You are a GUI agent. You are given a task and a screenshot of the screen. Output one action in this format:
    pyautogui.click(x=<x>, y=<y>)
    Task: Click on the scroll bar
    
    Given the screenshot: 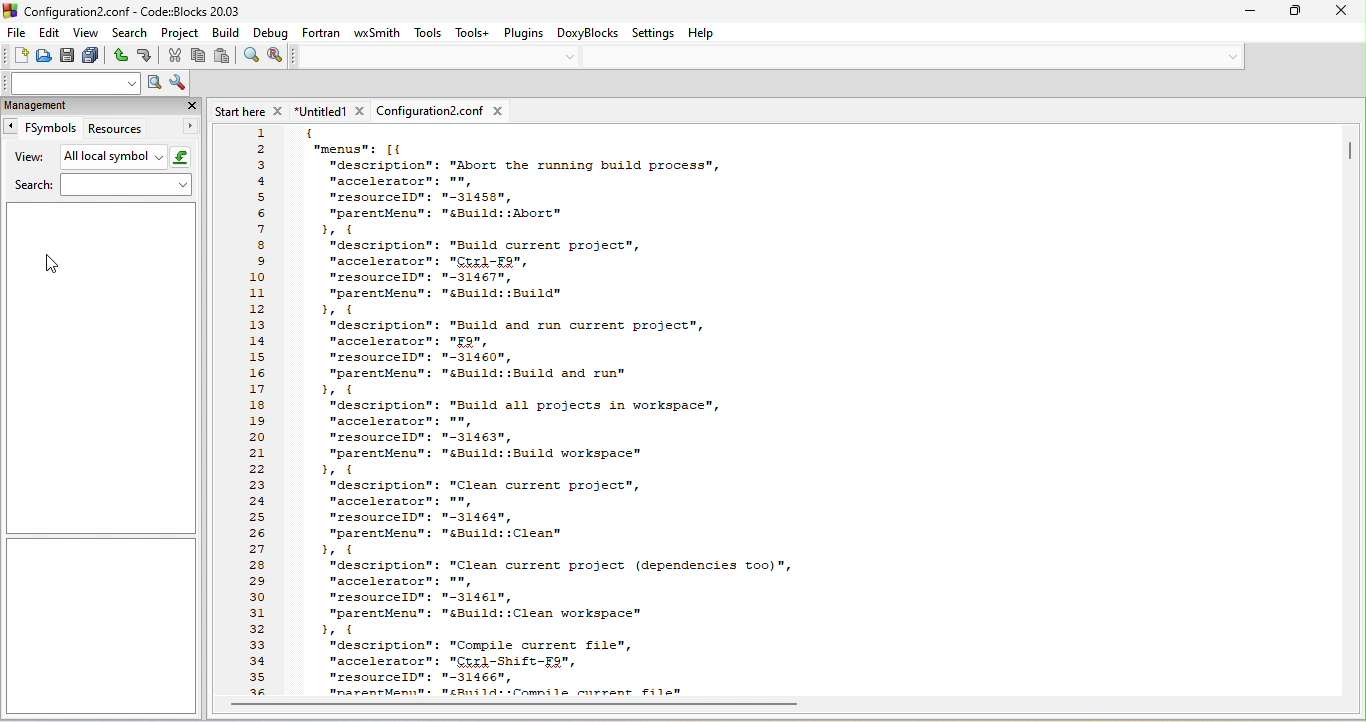 What is the action you would take?
    pyautogui.click(x=1351, y=152)
    